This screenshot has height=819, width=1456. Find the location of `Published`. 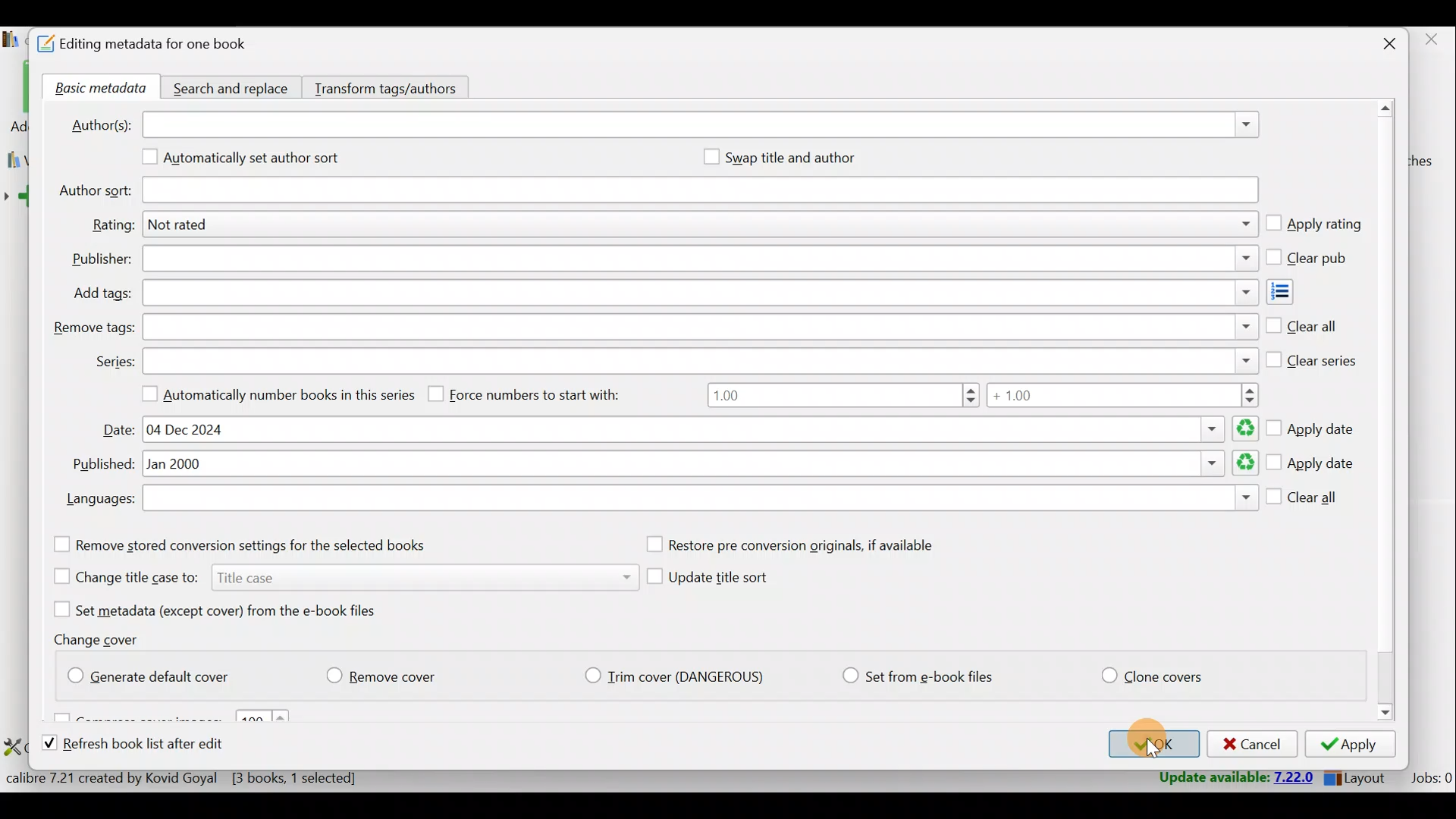

Published is located at coordinates (701, 465).